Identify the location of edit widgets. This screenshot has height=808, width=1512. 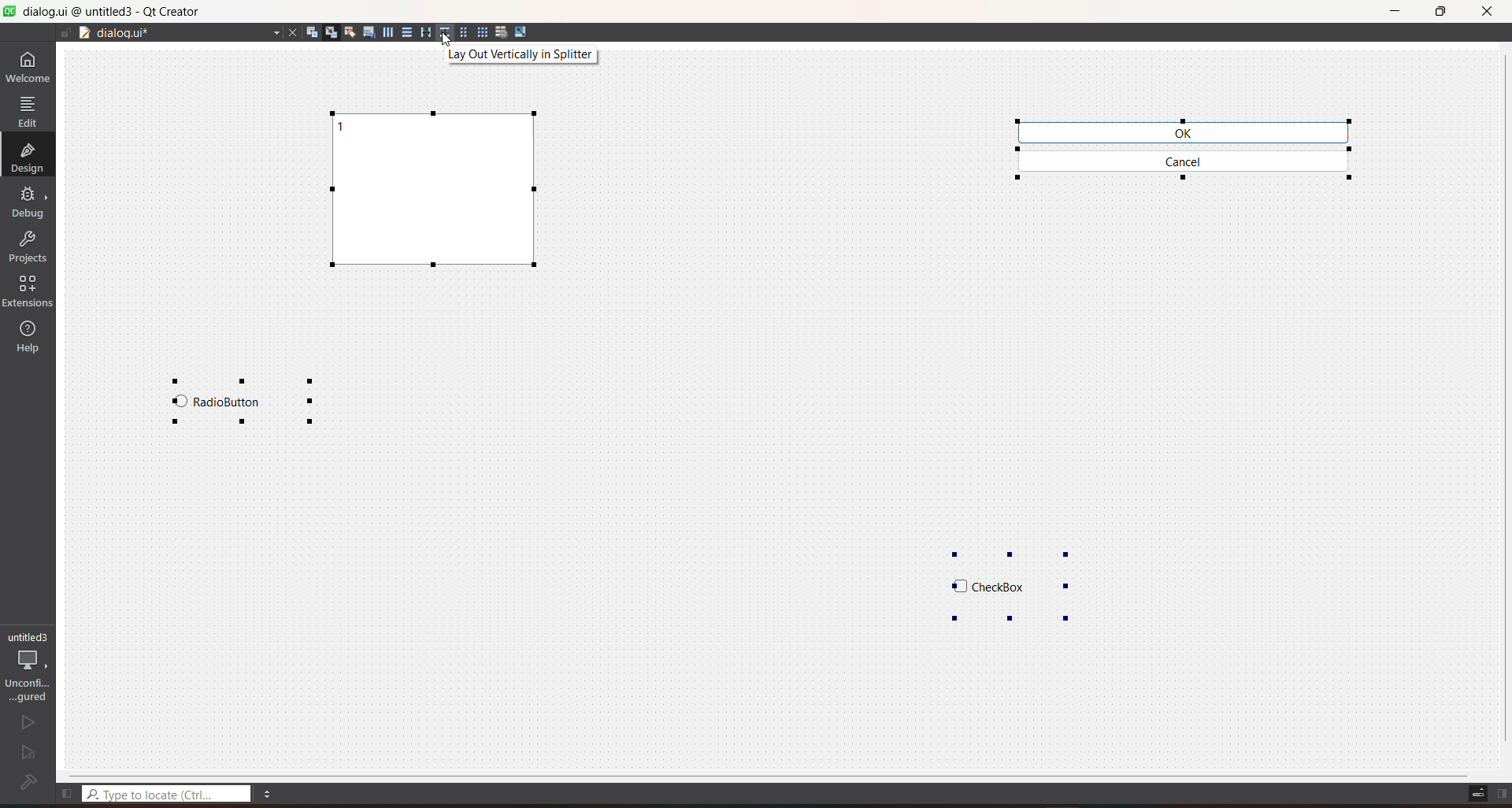
(311, 32).